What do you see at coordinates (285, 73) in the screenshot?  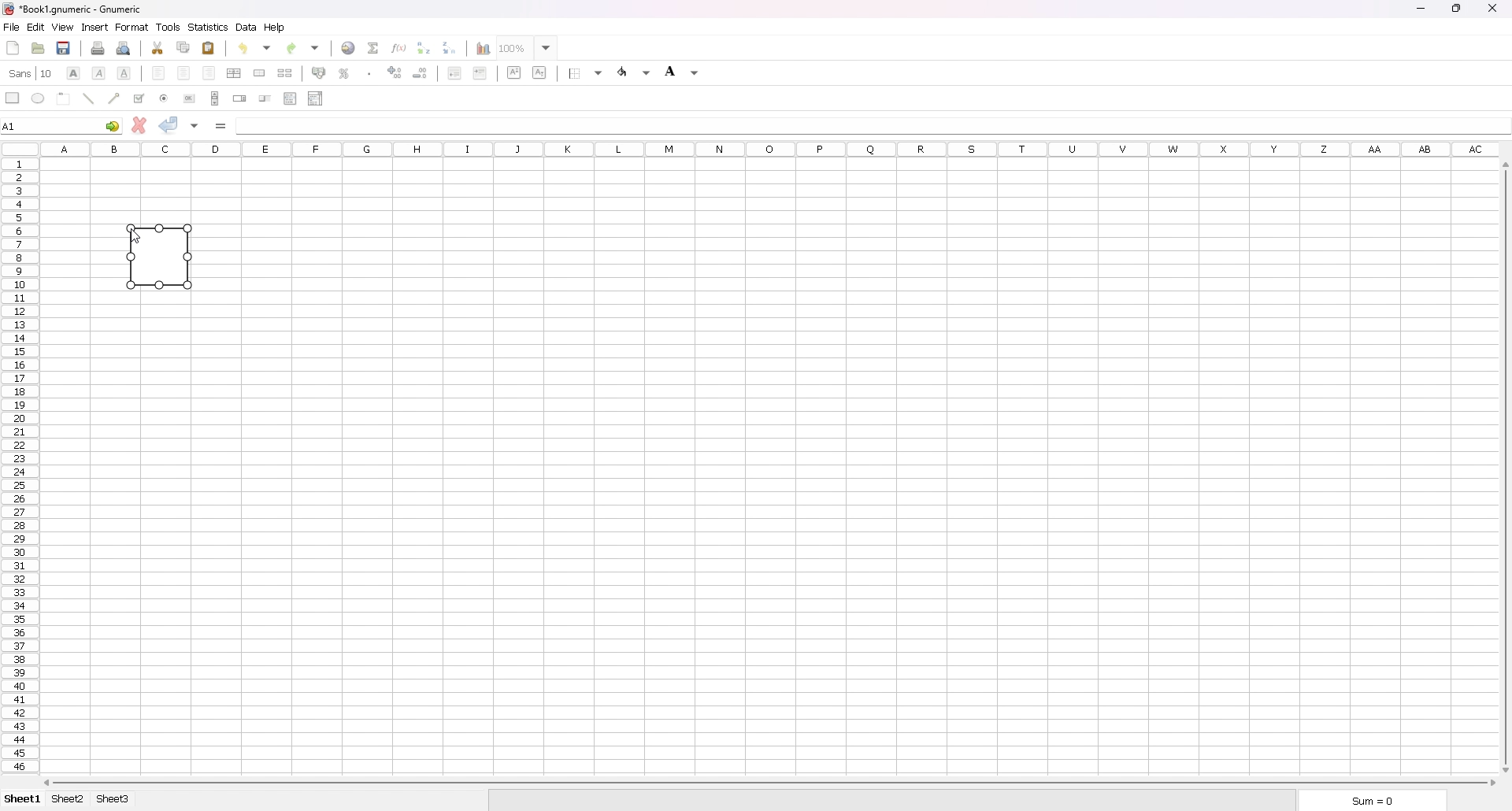 I see `split merged cells` at bounding box center [285, 73].